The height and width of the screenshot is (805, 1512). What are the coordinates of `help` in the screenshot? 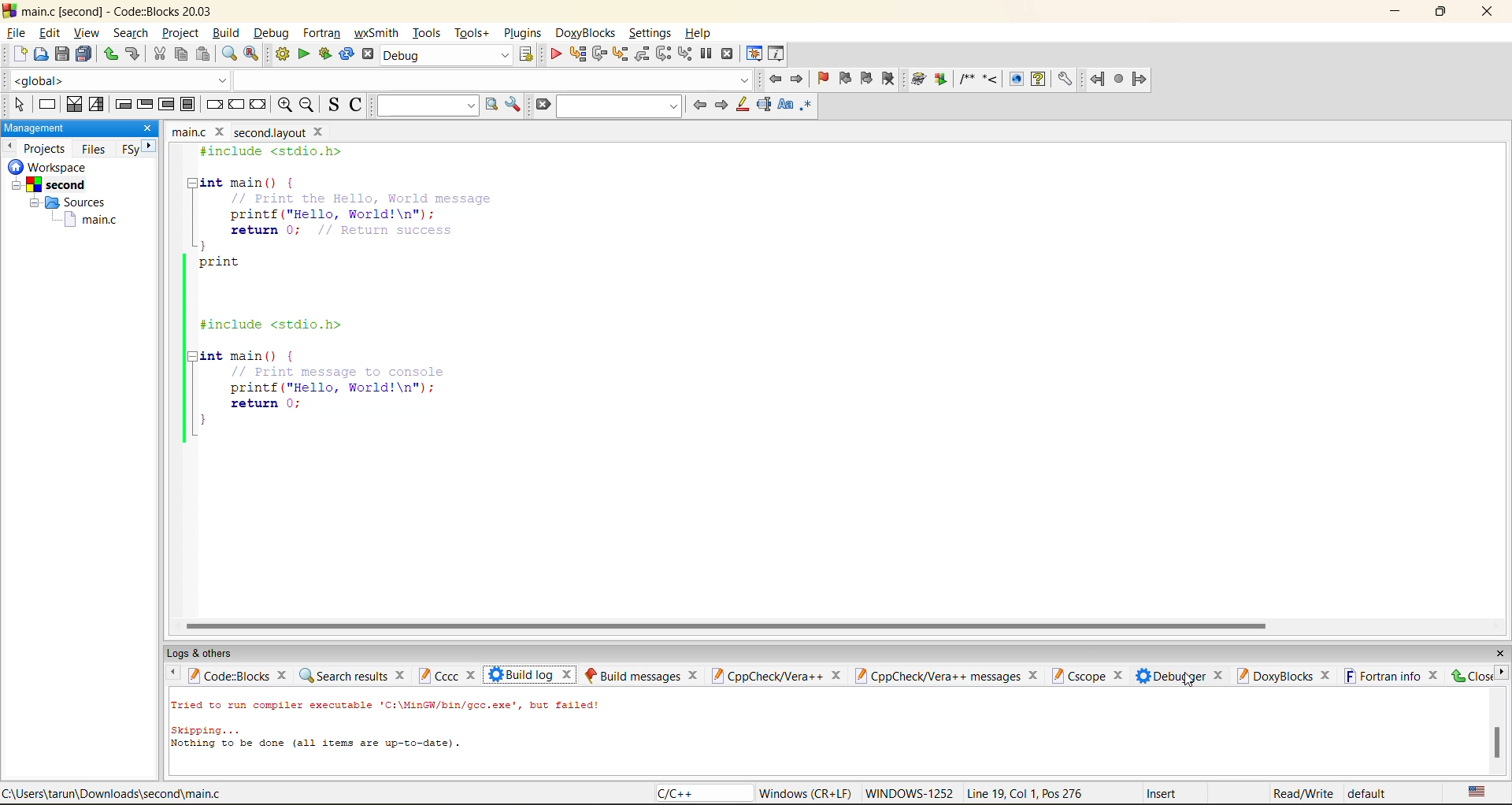 It's located at (702, 29).